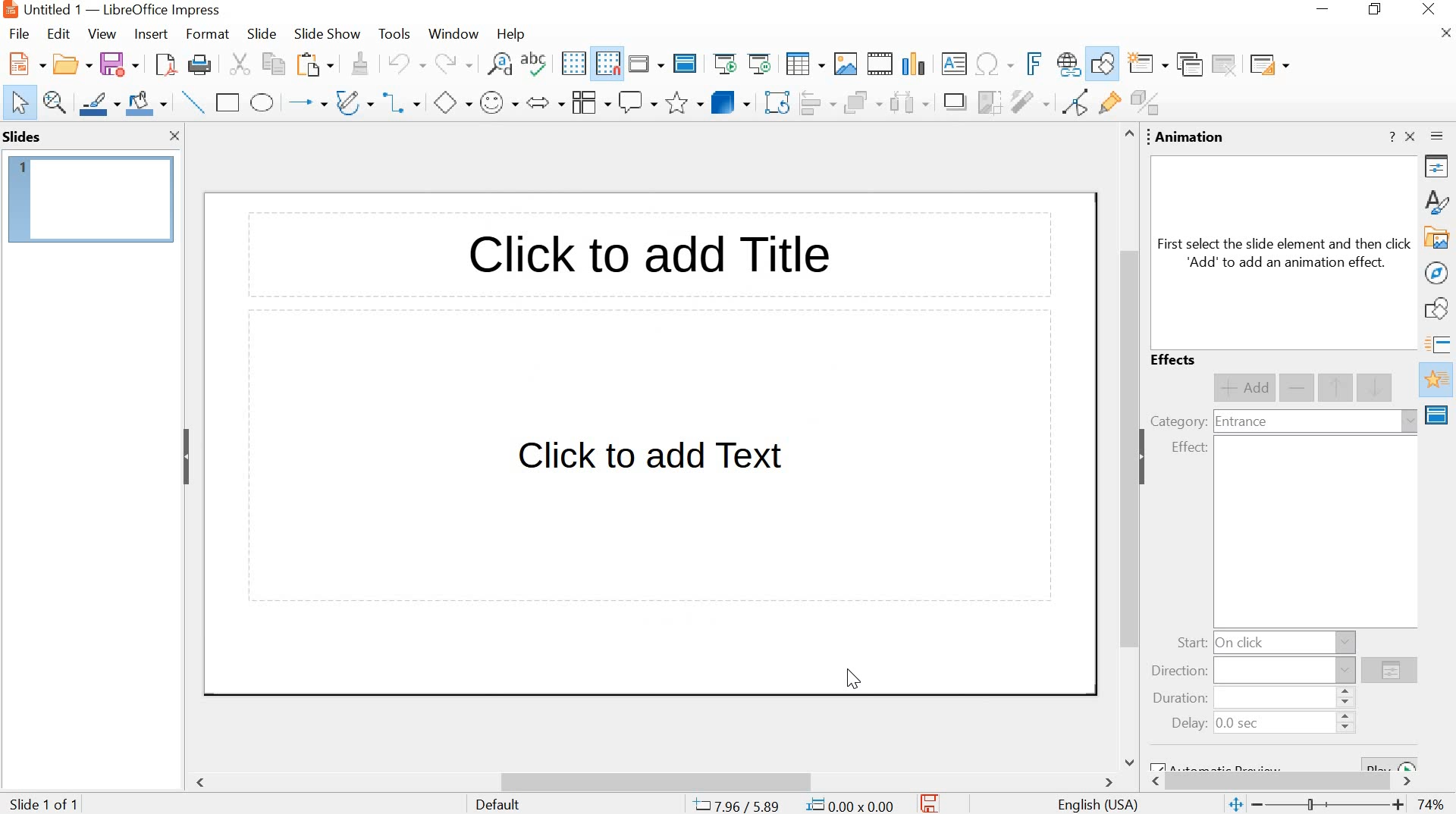  What do you see at coordinates (1244, 388) in the screenshot?
I see `add` at bounding box center [1244, 388].